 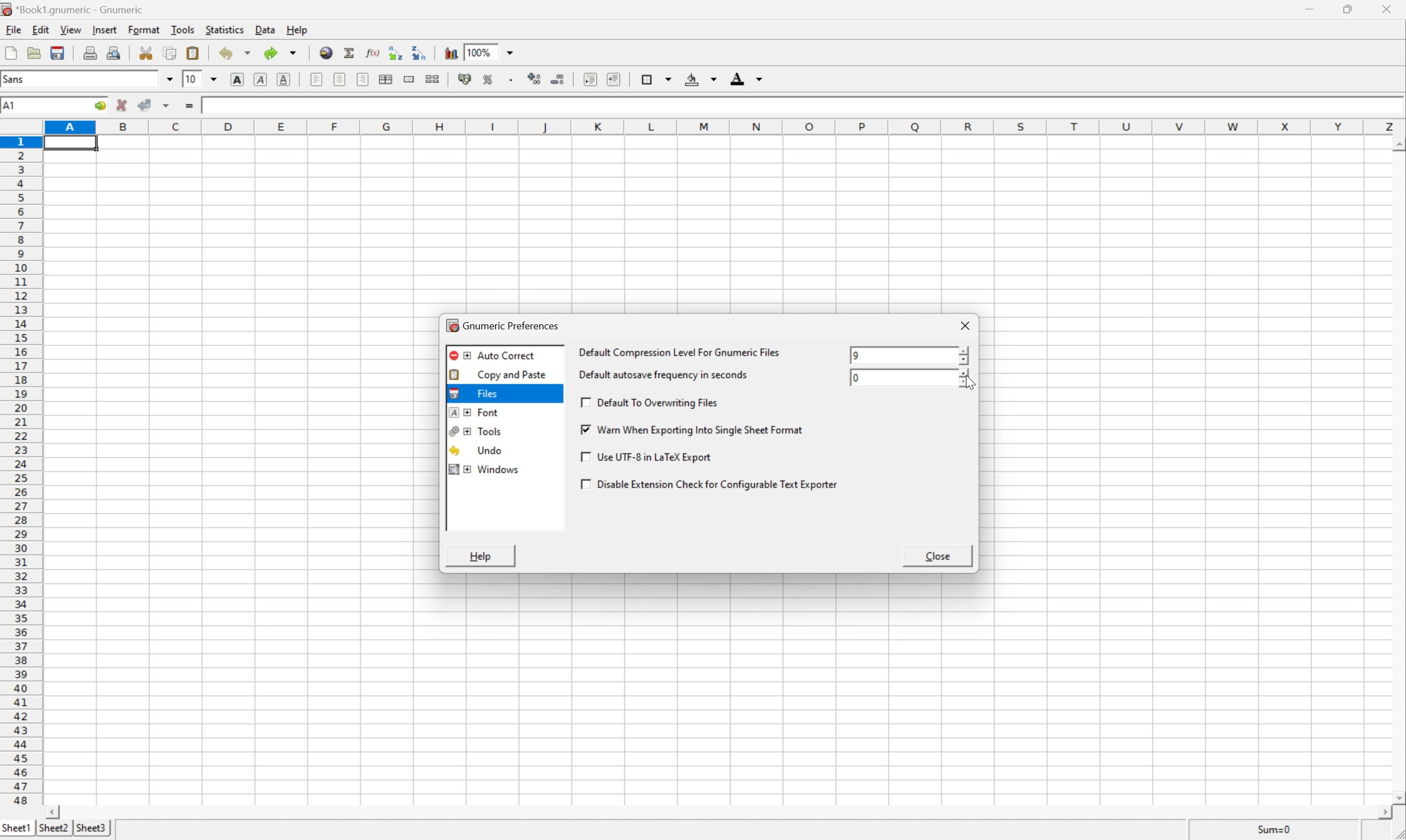 What do you see at coordinates (88, 80) in the screenshot?
I see `Font name - sans` at bounding box center [88, 80].